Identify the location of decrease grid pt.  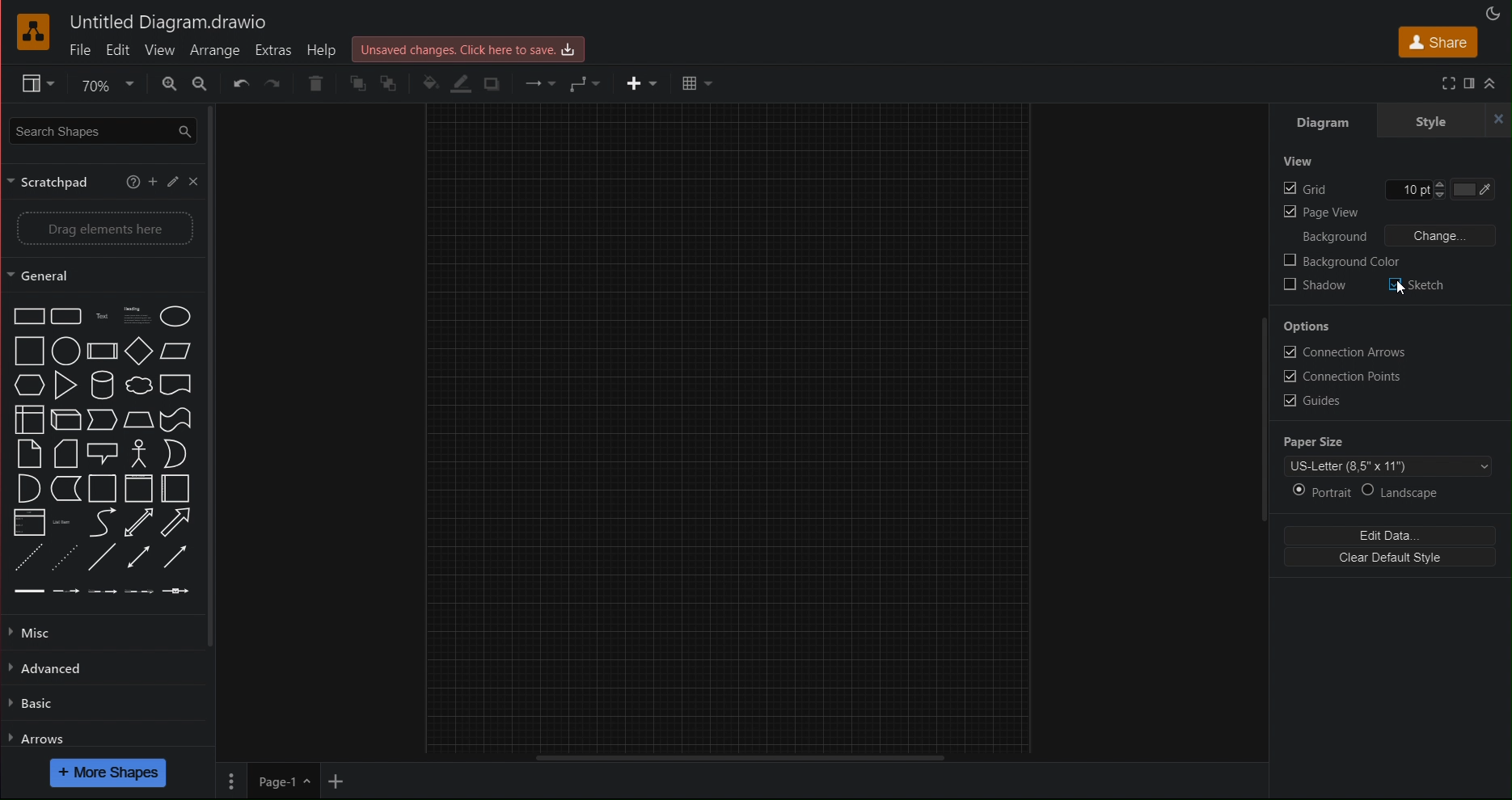
(1441, 196).